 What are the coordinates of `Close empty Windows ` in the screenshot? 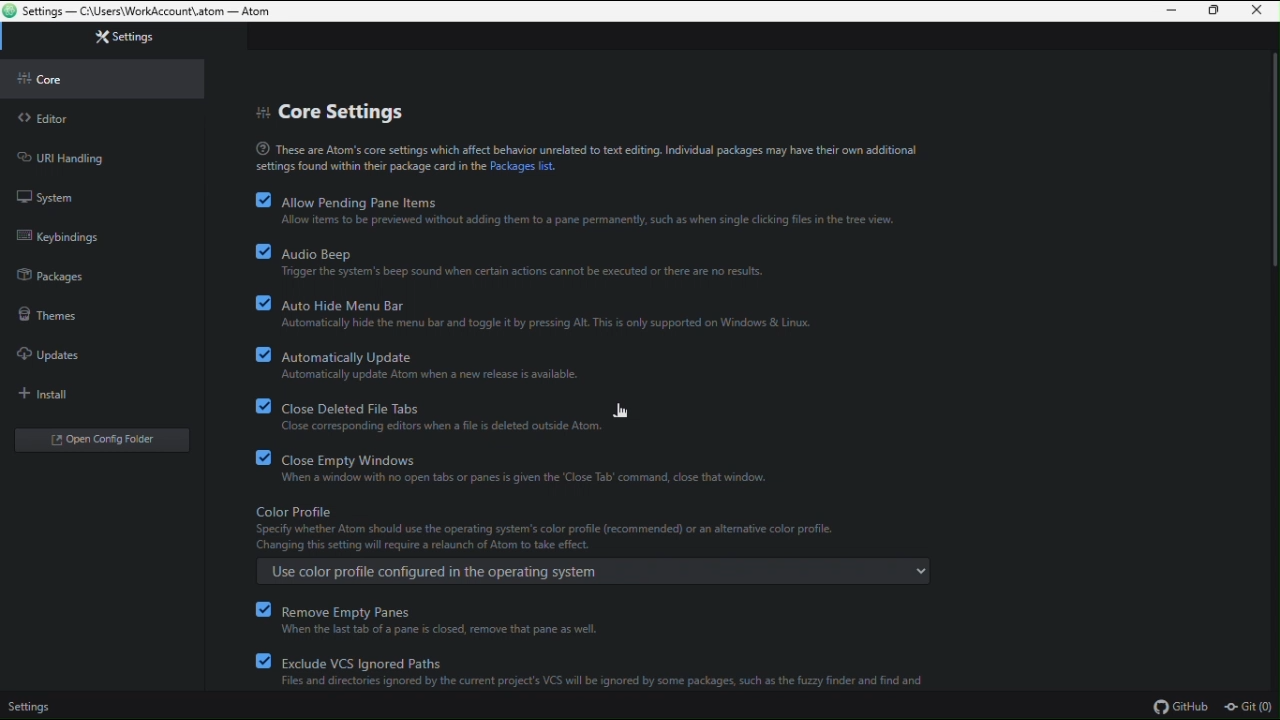 It's located at (526, 469).